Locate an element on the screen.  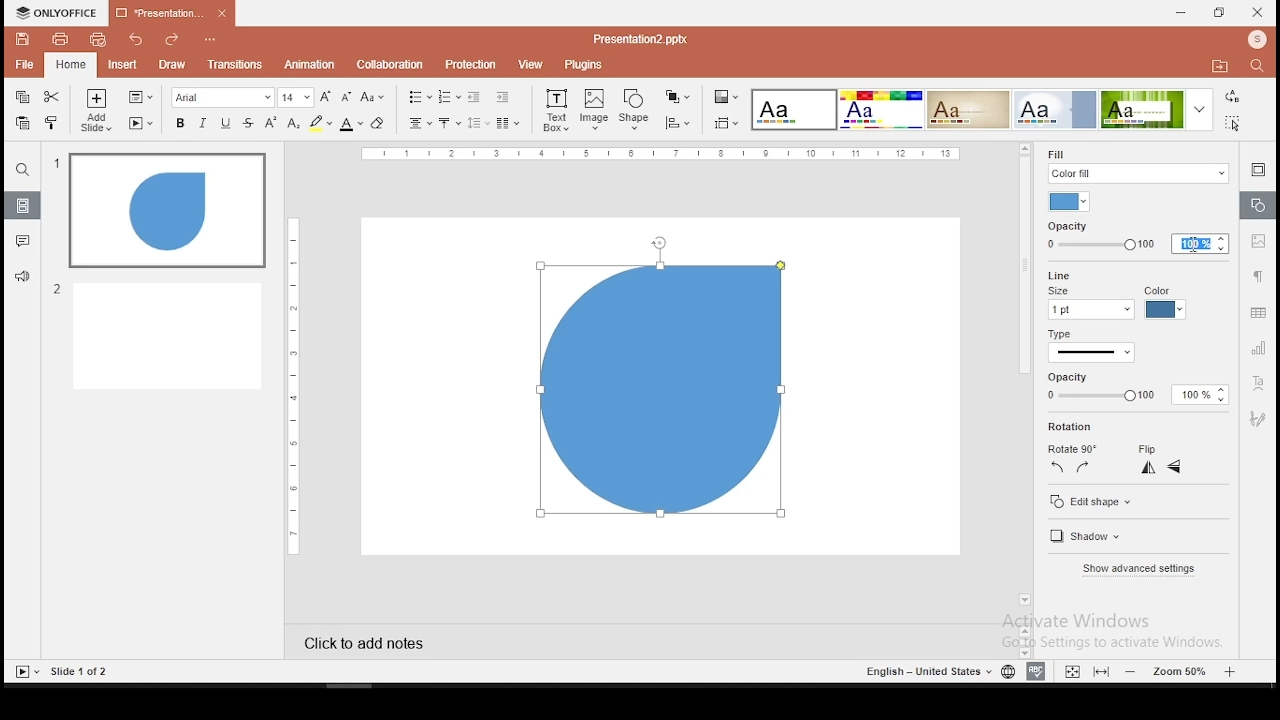
line color is located at coordinates (1164, 303).